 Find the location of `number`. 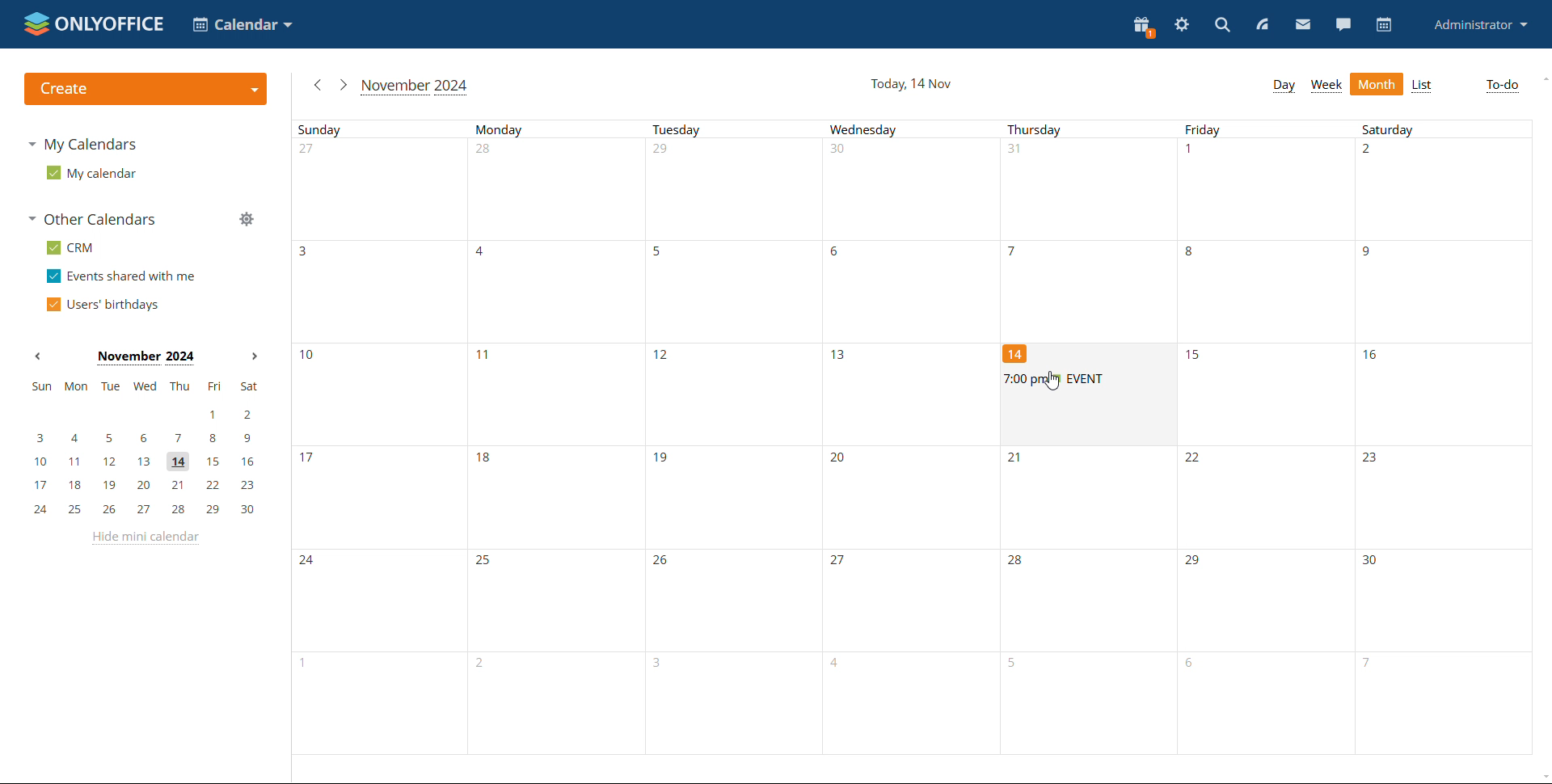

number is located at coordinates (1018, 459).